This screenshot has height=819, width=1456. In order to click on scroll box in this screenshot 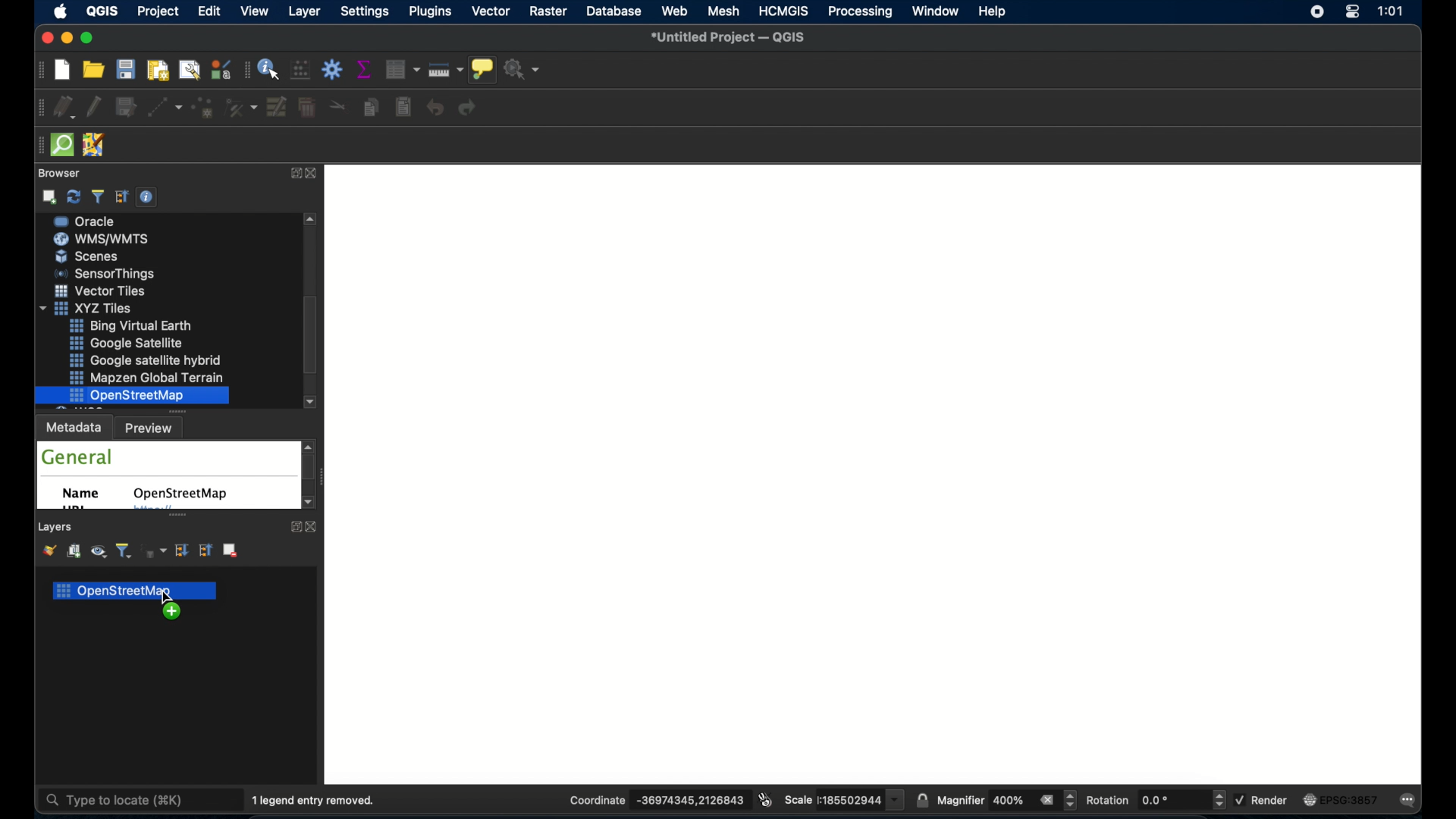, I will do `click(311, 469)`.